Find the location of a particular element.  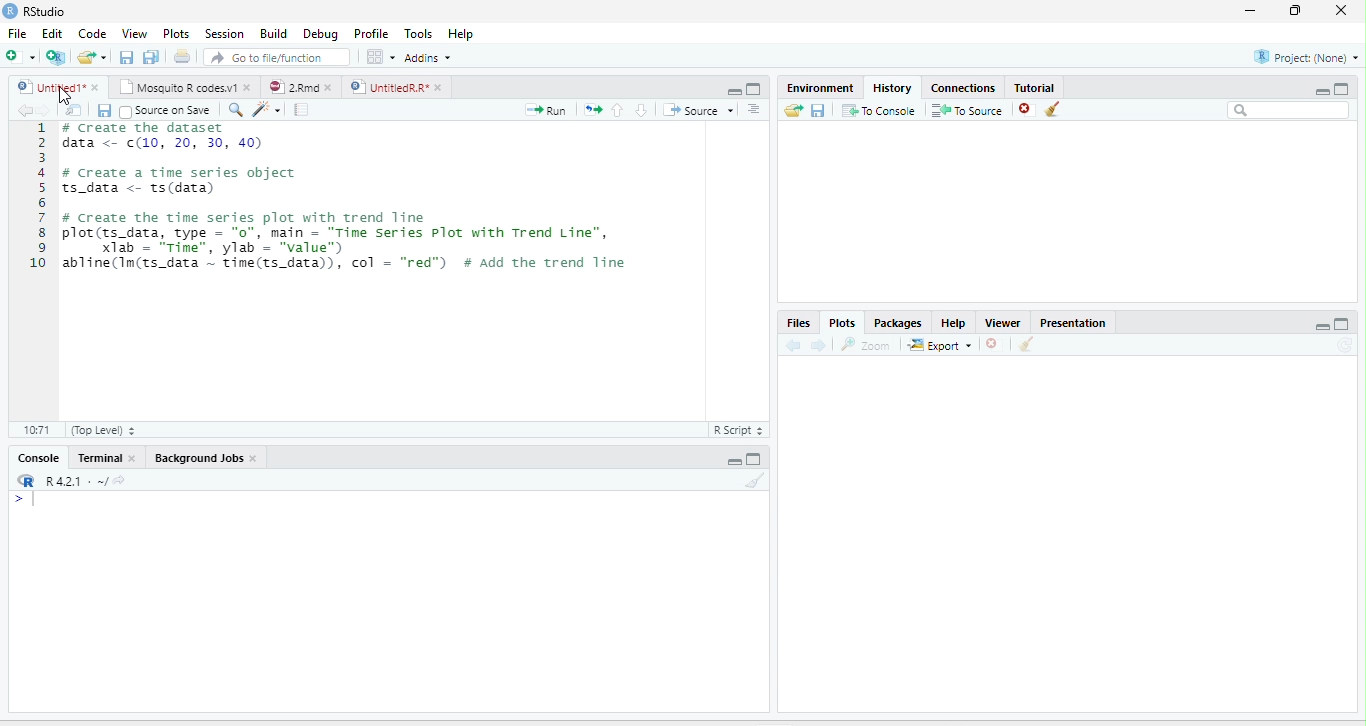

Go back to previous source location is located at coordinates (22, 110).